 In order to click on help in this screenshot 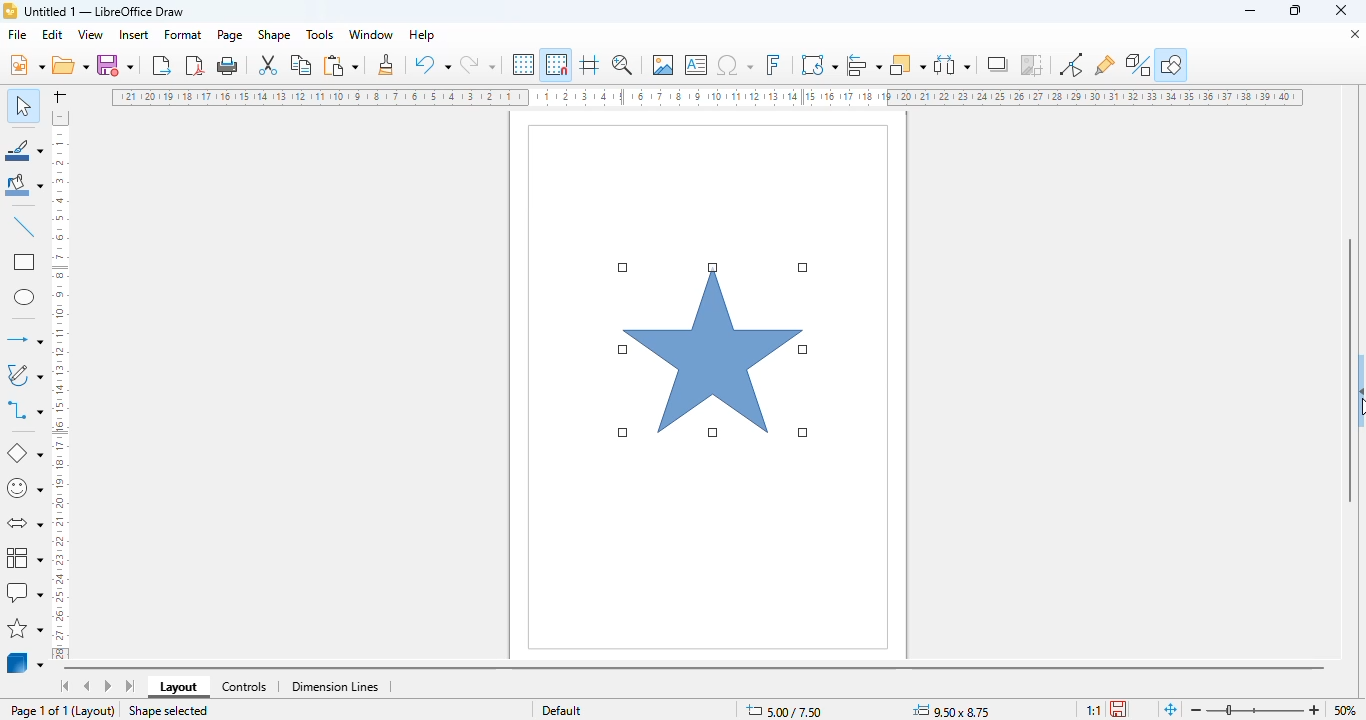, I will do `click(423, 35)`.